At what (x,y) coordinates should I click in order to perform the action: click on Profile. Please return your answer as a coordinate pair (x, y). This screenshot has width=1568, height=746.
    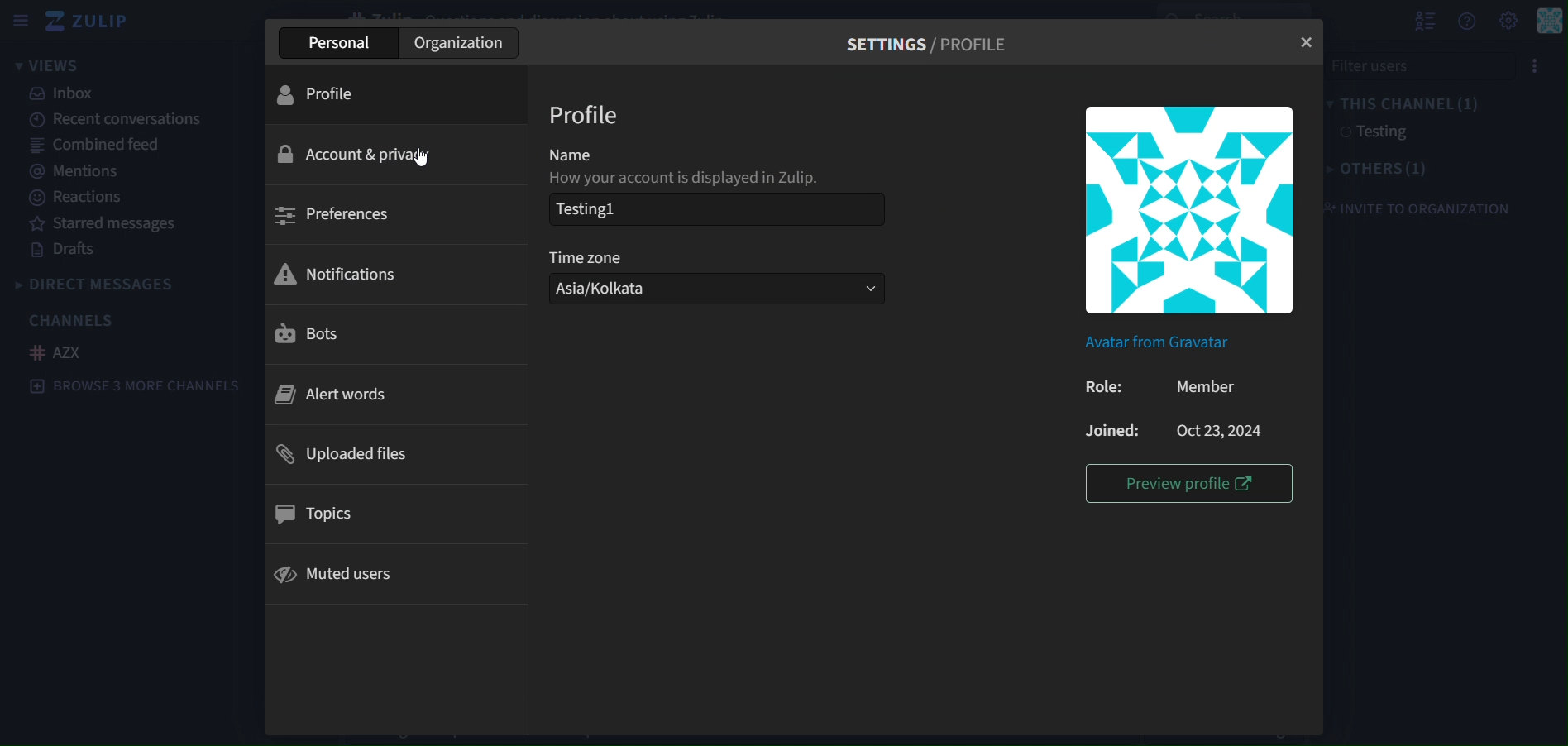
    Looking at the image, I should click on (590, 116).